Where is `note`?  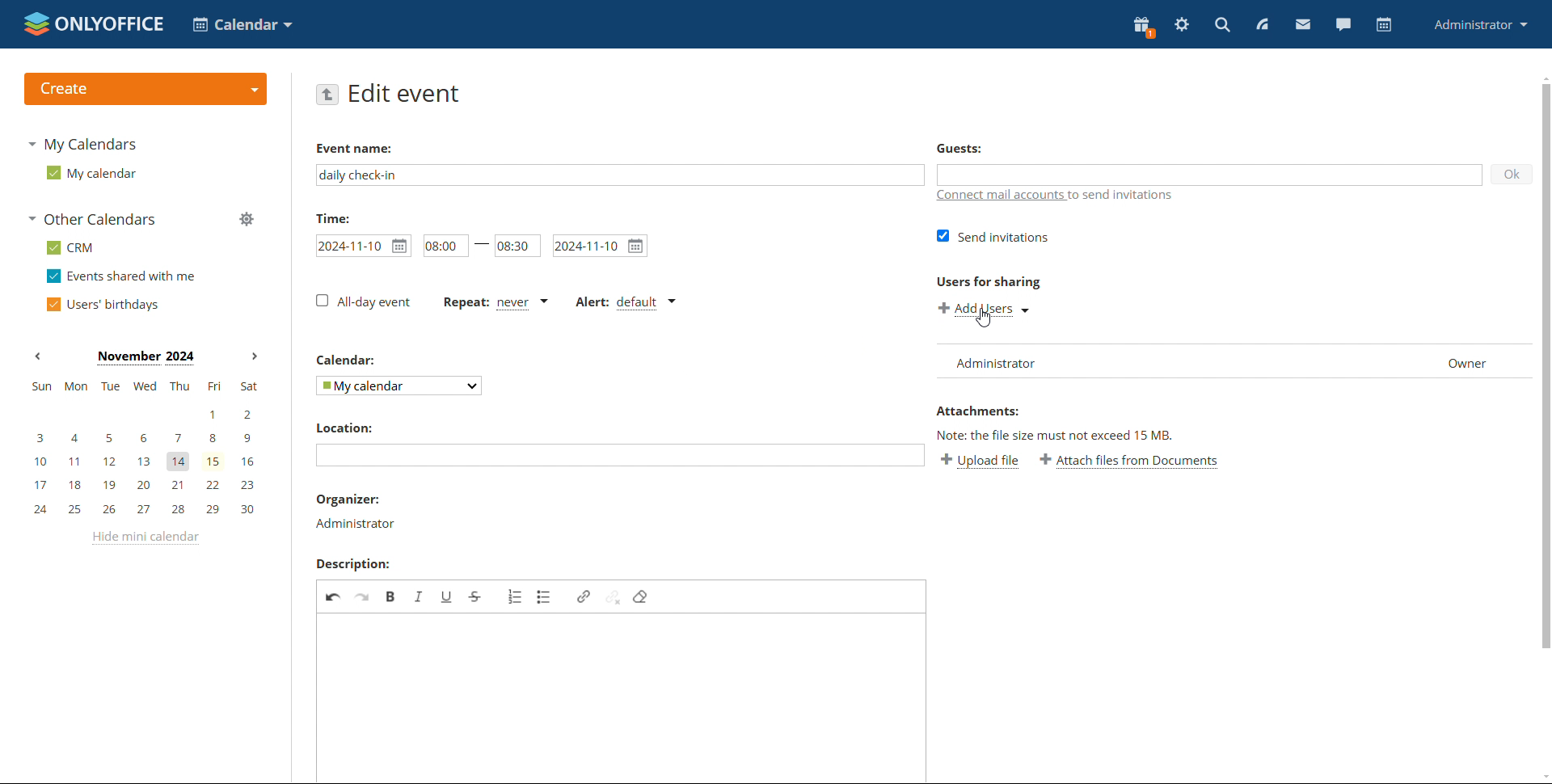 note is located at coordinates (1061, 432).